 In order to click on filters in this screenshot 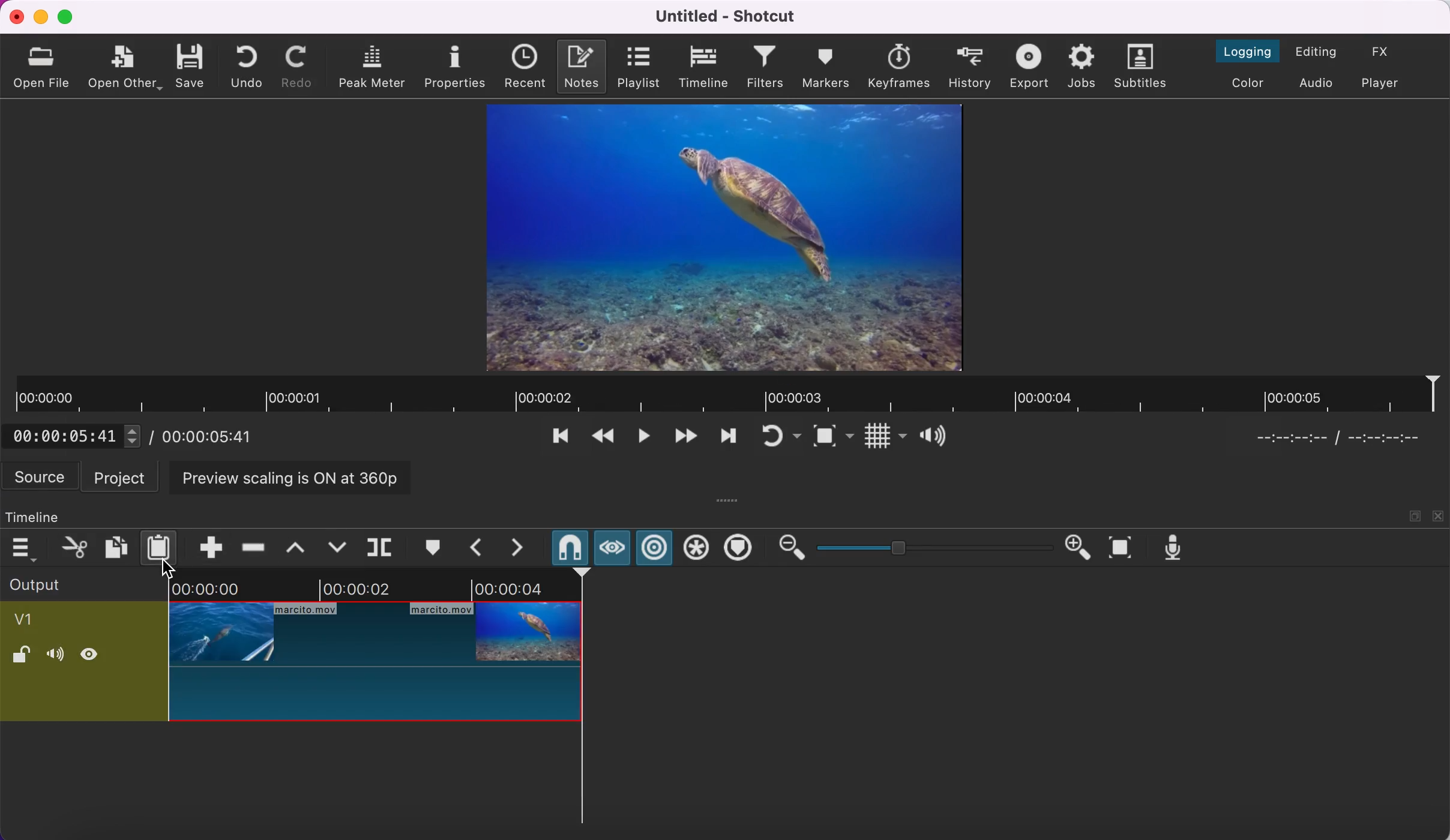, I will do `click(766, 67)`.